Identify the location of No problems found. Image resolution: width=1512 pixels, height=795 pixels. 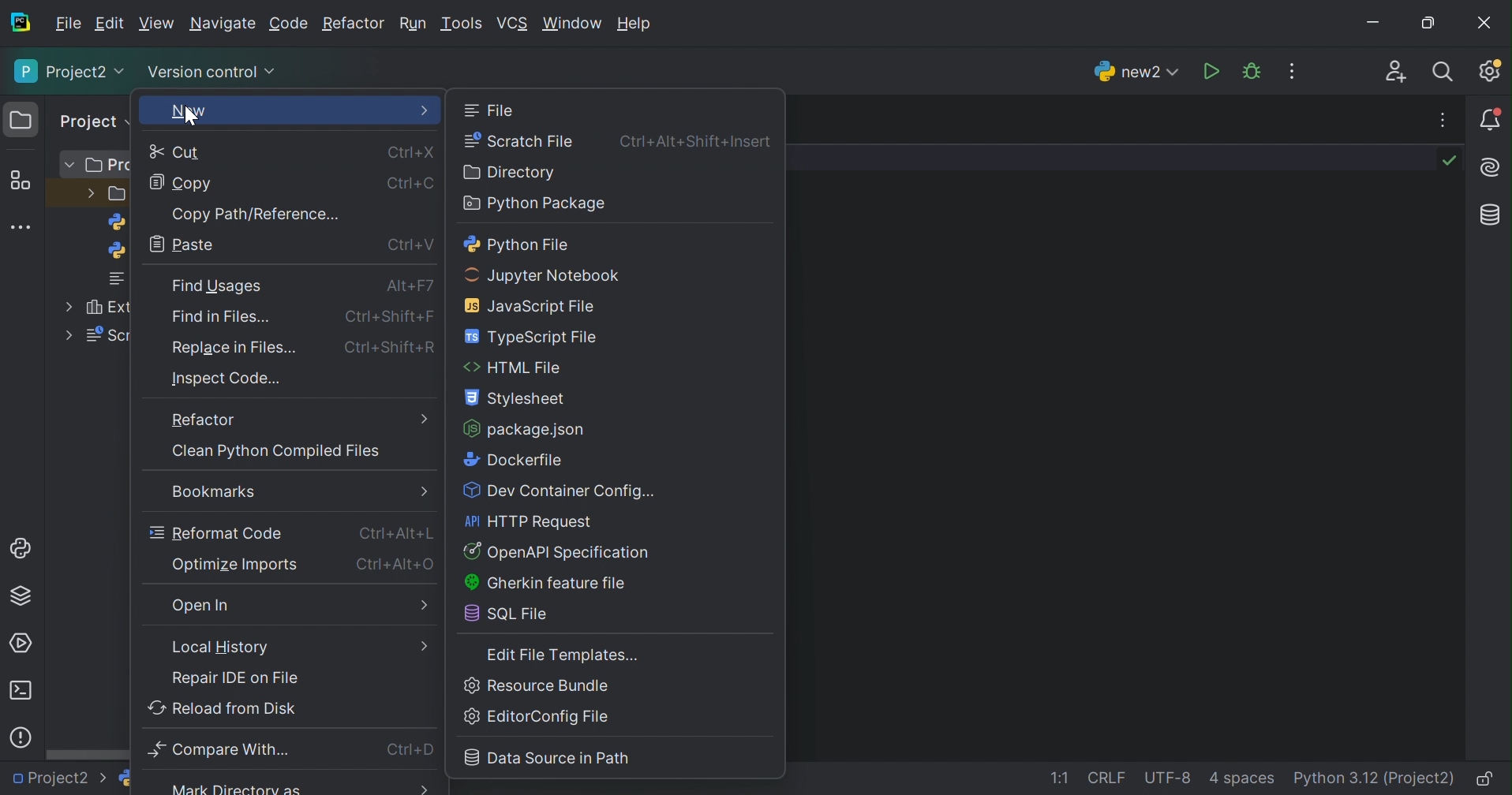
(1453, 162).